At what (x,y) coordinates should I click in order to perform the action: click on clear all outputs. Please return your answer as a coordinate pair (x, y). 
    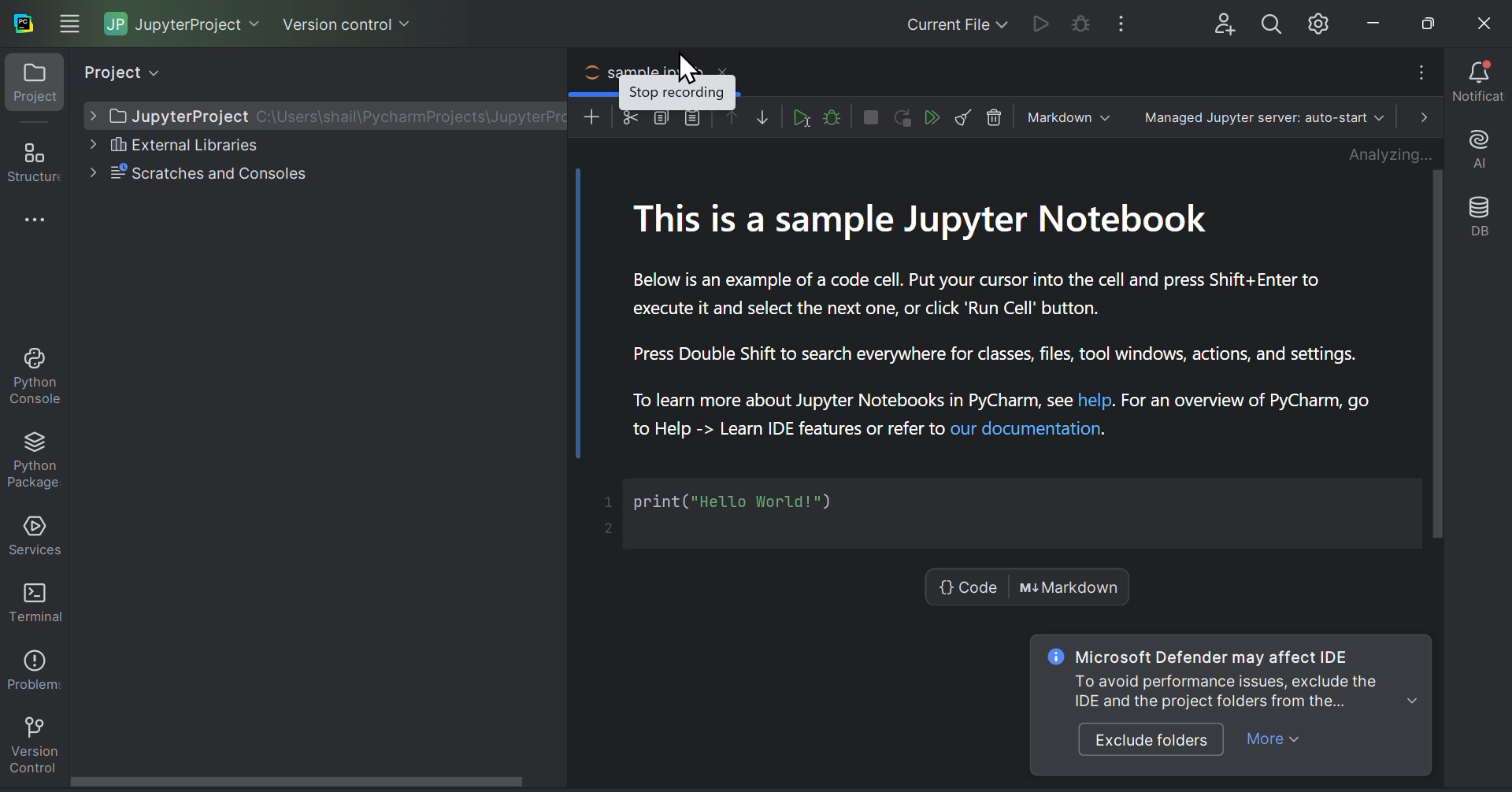
    Looking at the image, I should click on (965, 116).